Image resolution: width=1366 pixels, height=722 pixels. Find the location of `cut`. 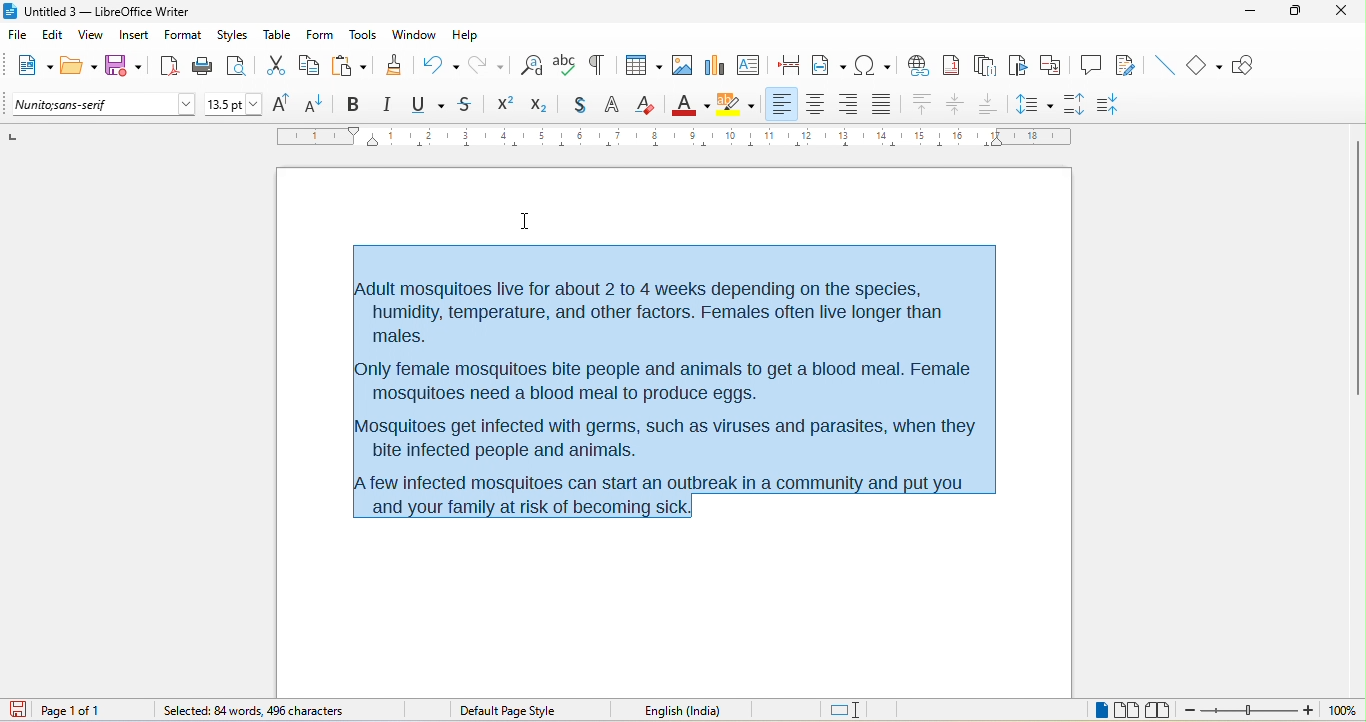

cut is located at coordinates (276, 67).